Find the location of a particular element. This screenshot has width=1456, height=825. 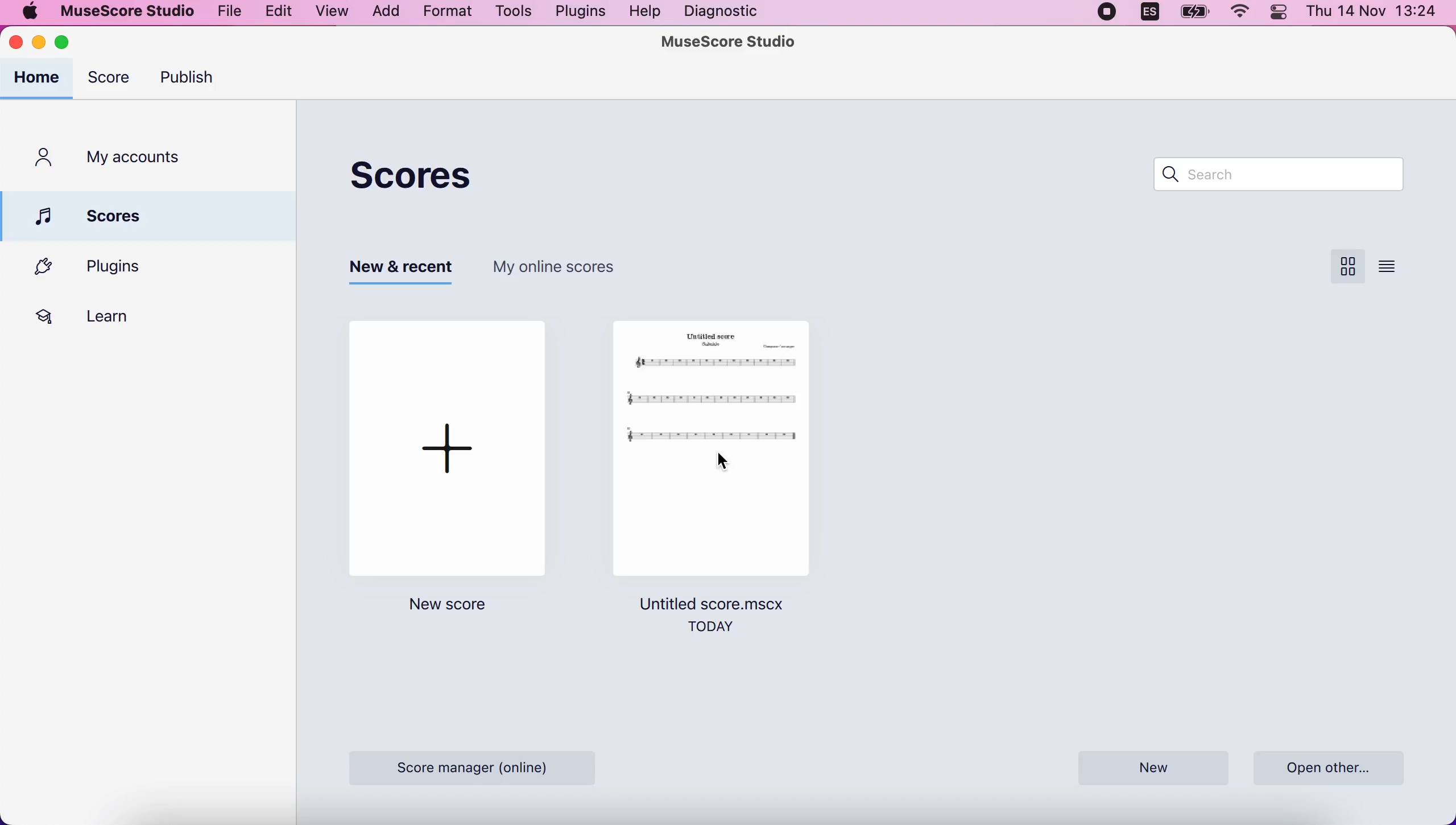

close is located at coordinates (18, 43).